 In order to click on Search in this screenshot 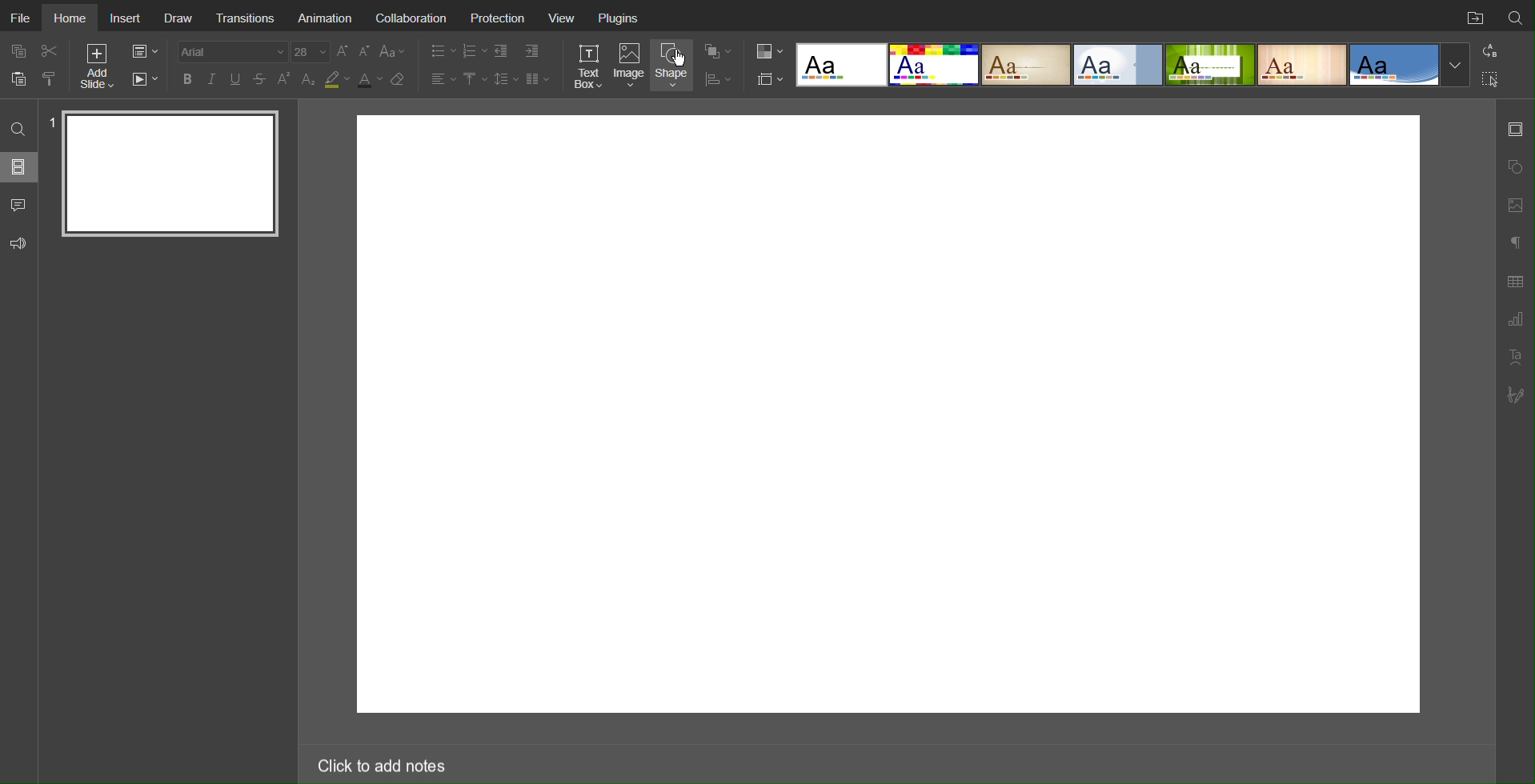, I will do `click(1516, 15)`.